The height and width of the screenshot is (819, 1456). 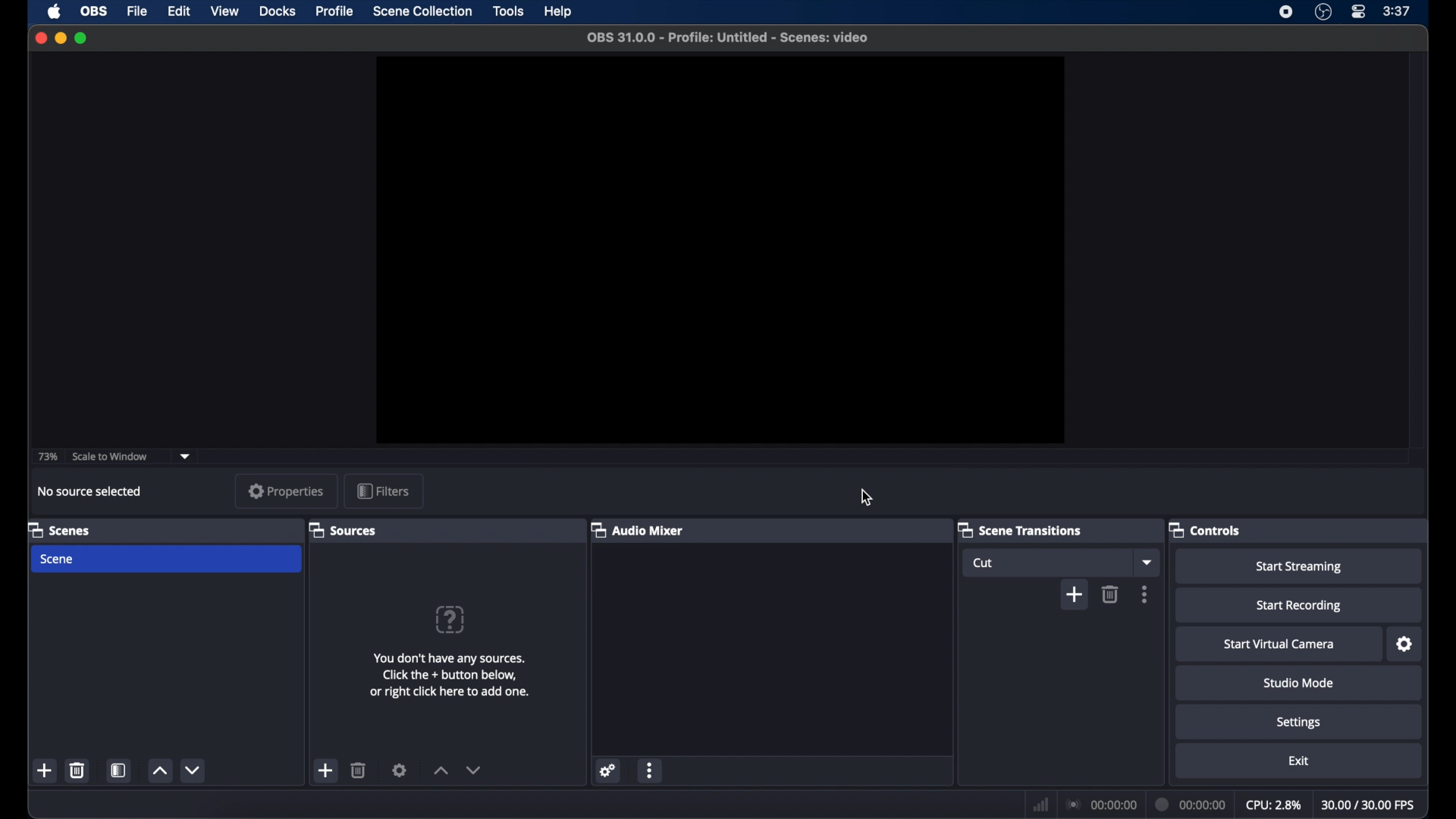 I want to click on fps, so click(x=1369, y=805).